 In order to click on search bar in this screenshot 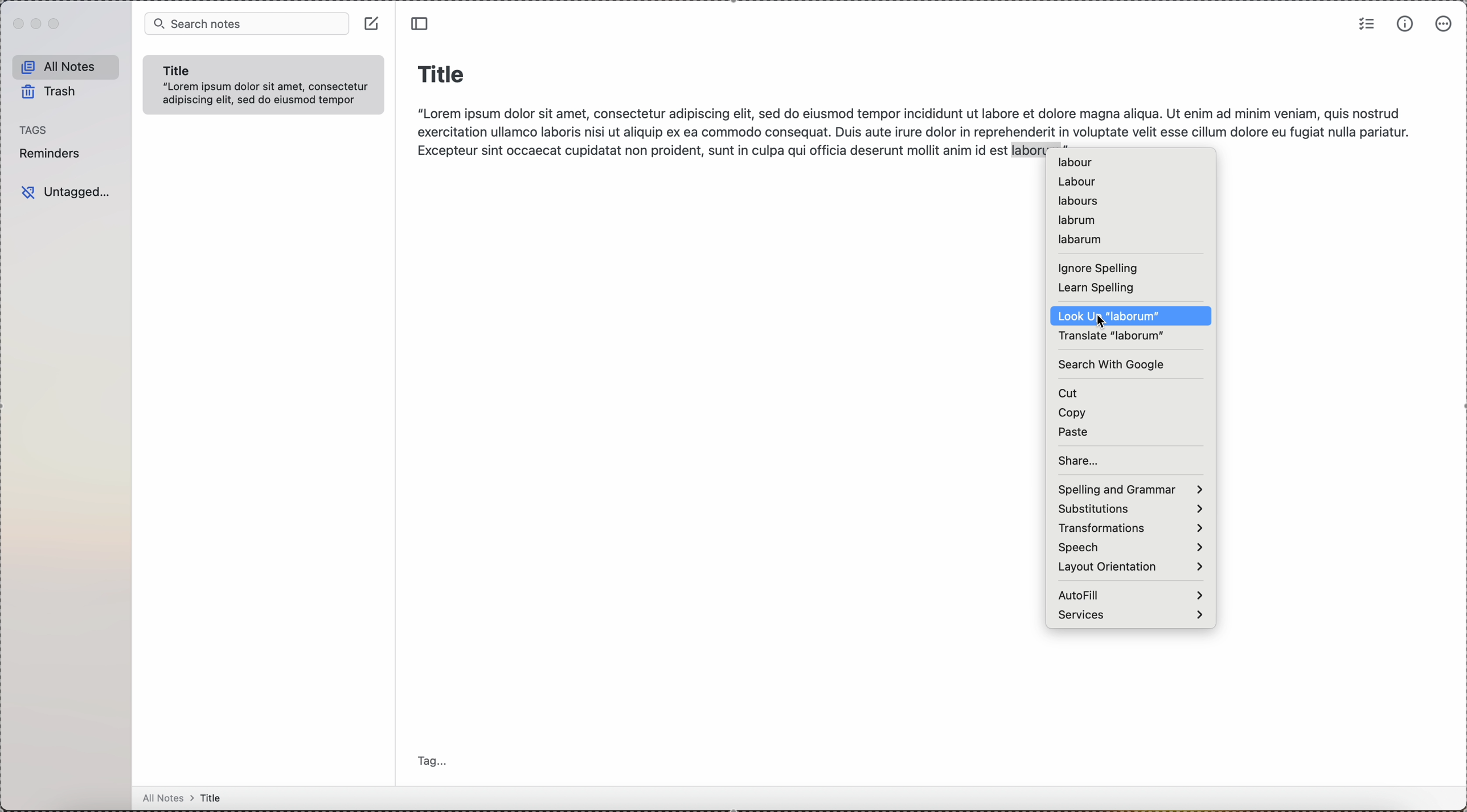, I will do `click(243, 23)`.